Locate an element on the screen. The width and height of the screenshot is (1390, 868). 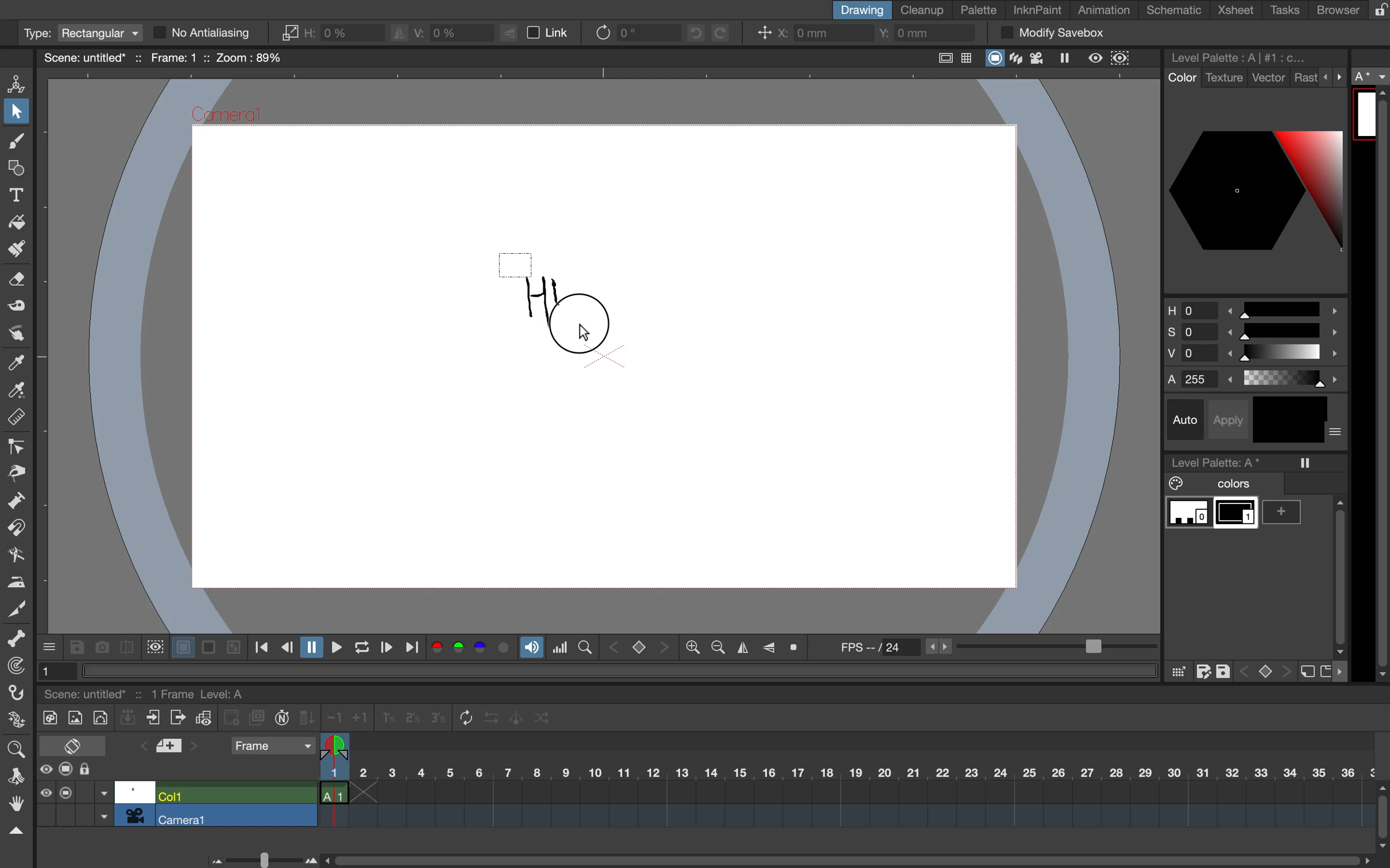
brush tool is located at coordinates (14, 143).